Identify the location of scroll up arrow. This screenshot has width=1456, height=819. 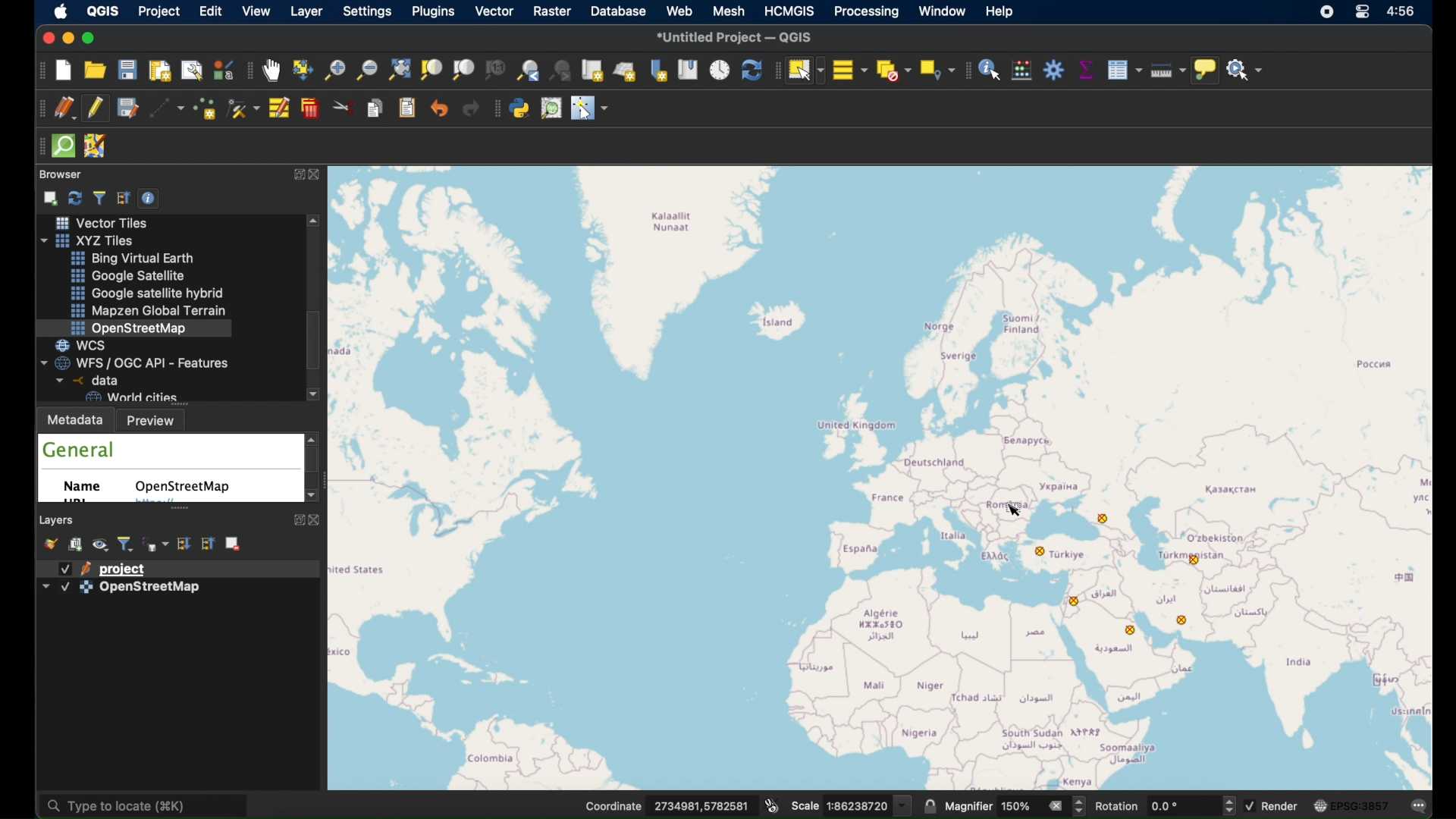
(315, 221).